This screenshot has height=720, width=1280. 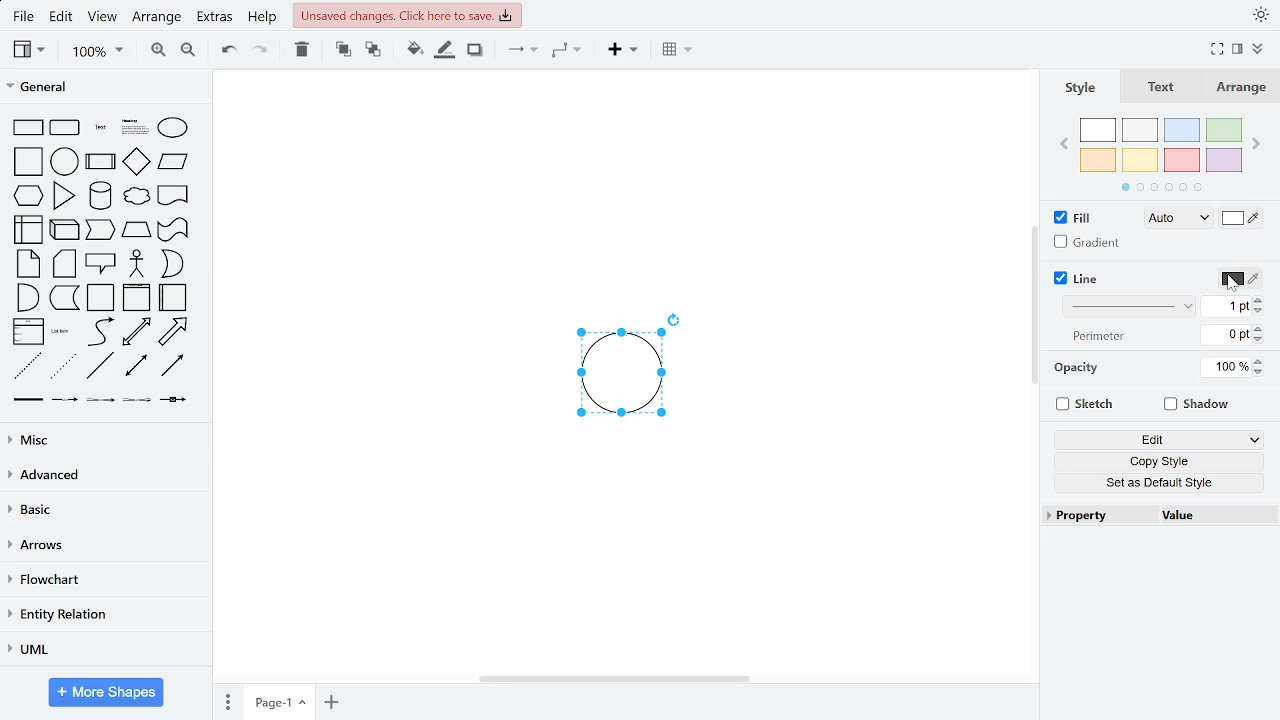 I want to click on text, so click(x=101, y=128).